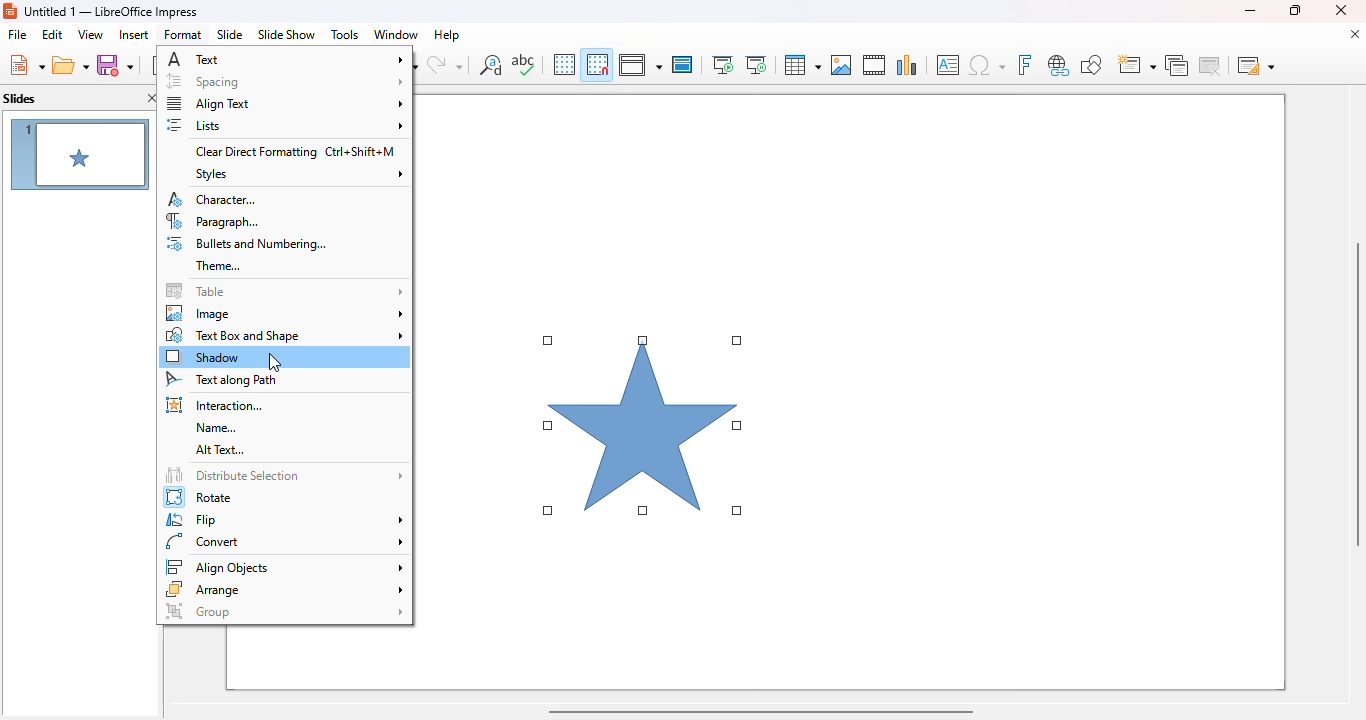  What do you see at coordinates (645, 427) in the screenshot?
I see `shape inserted` at bounding box center [645, 427].